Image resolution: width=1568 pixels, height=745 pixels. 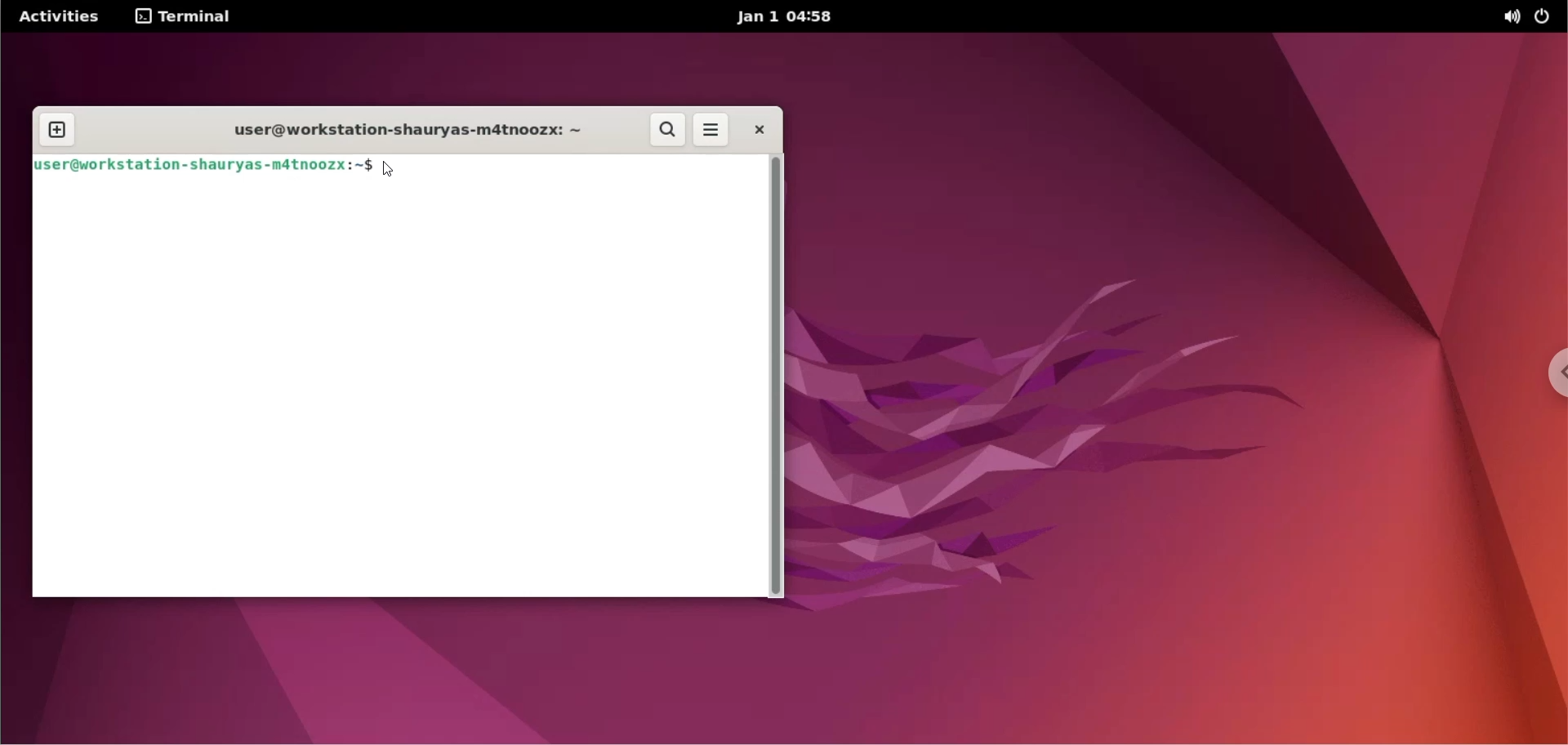 I want to click on terminal, so click(x=185, y=17).